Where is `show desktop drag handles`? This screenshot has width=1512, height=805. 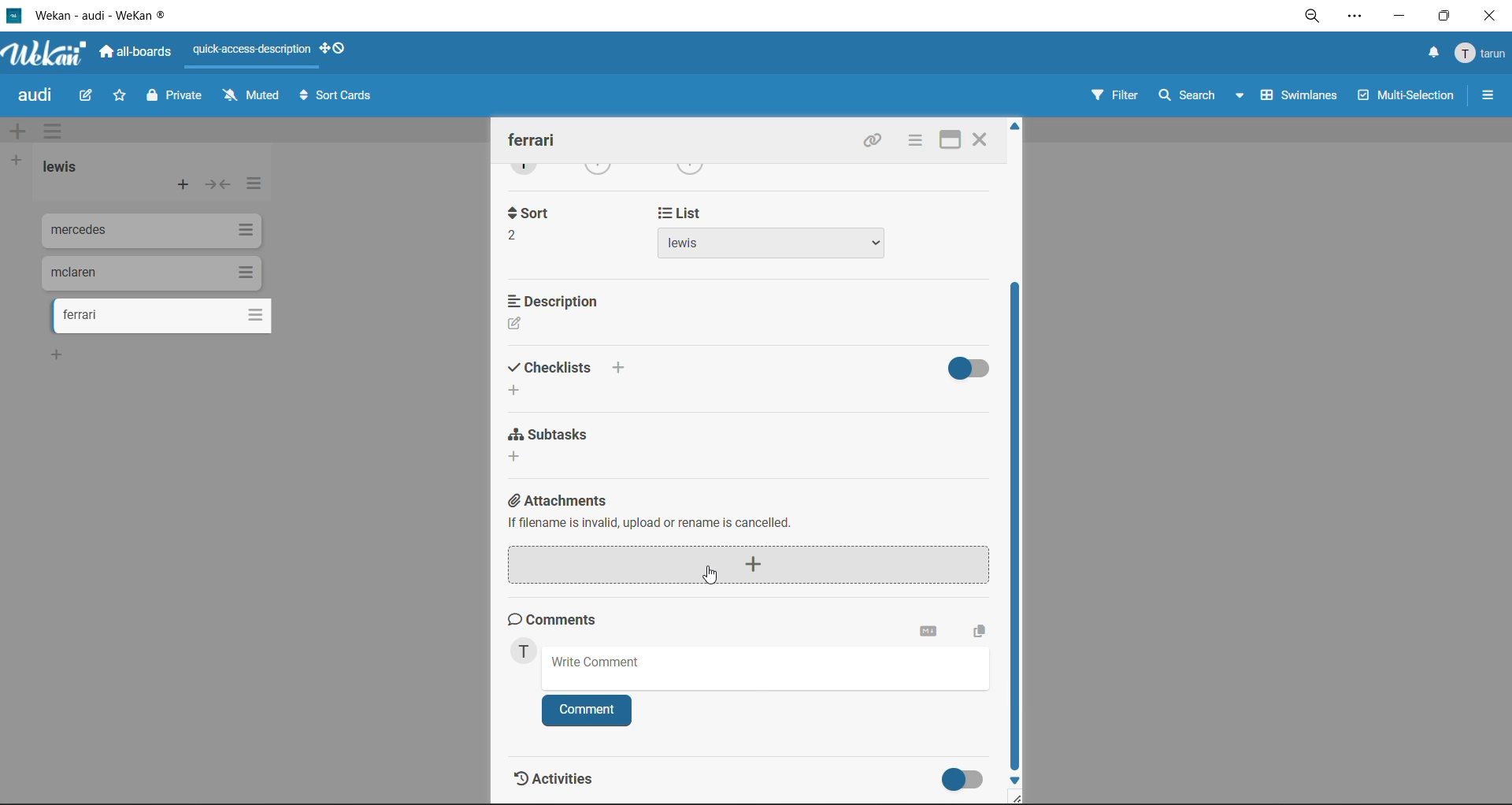
show desktop drag handles is located at coordinates (335, 50).